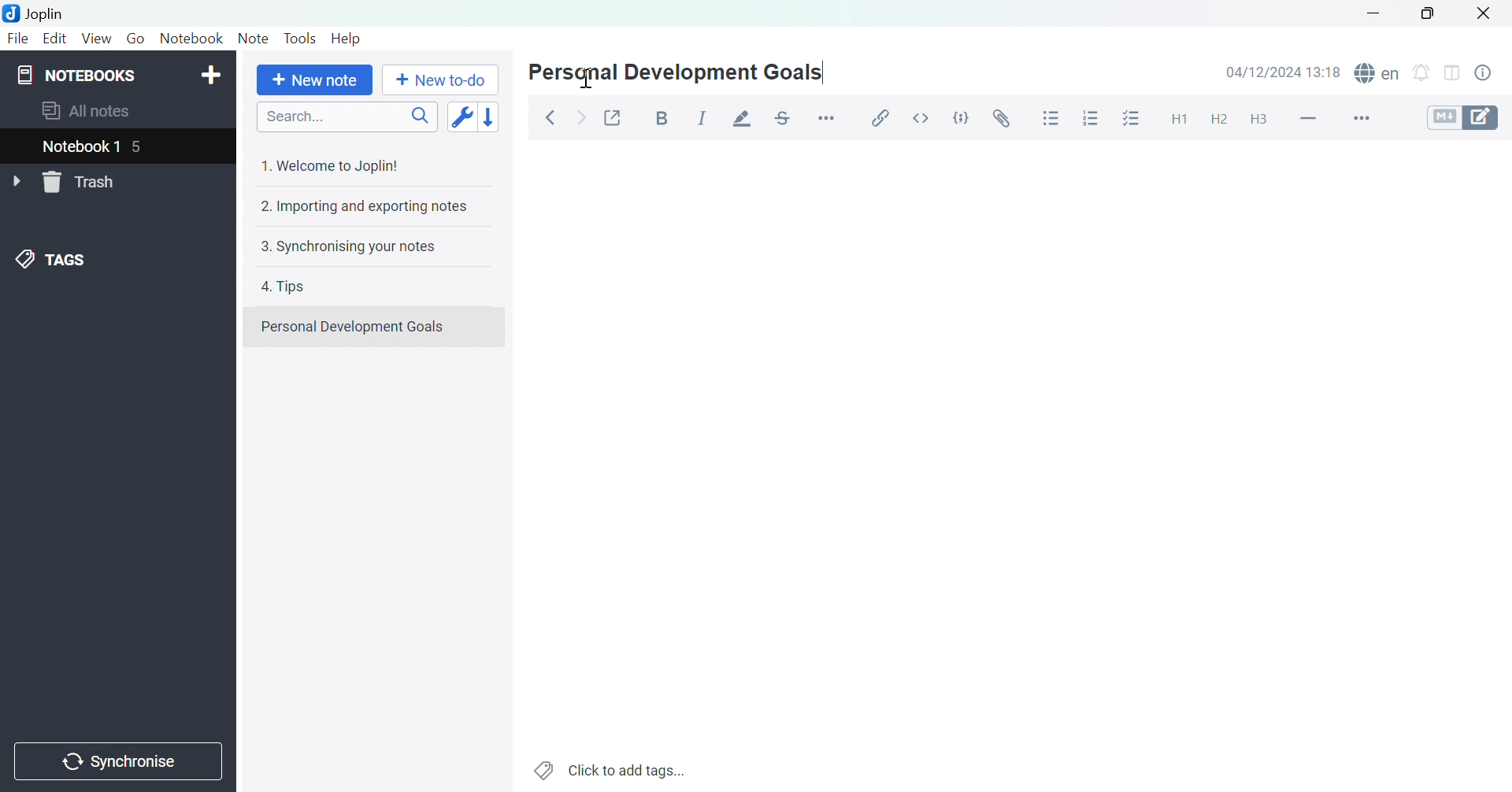  Describe the element at coordinates (95, 112) in the screenshot. I see `aLL NOTES` at that location.